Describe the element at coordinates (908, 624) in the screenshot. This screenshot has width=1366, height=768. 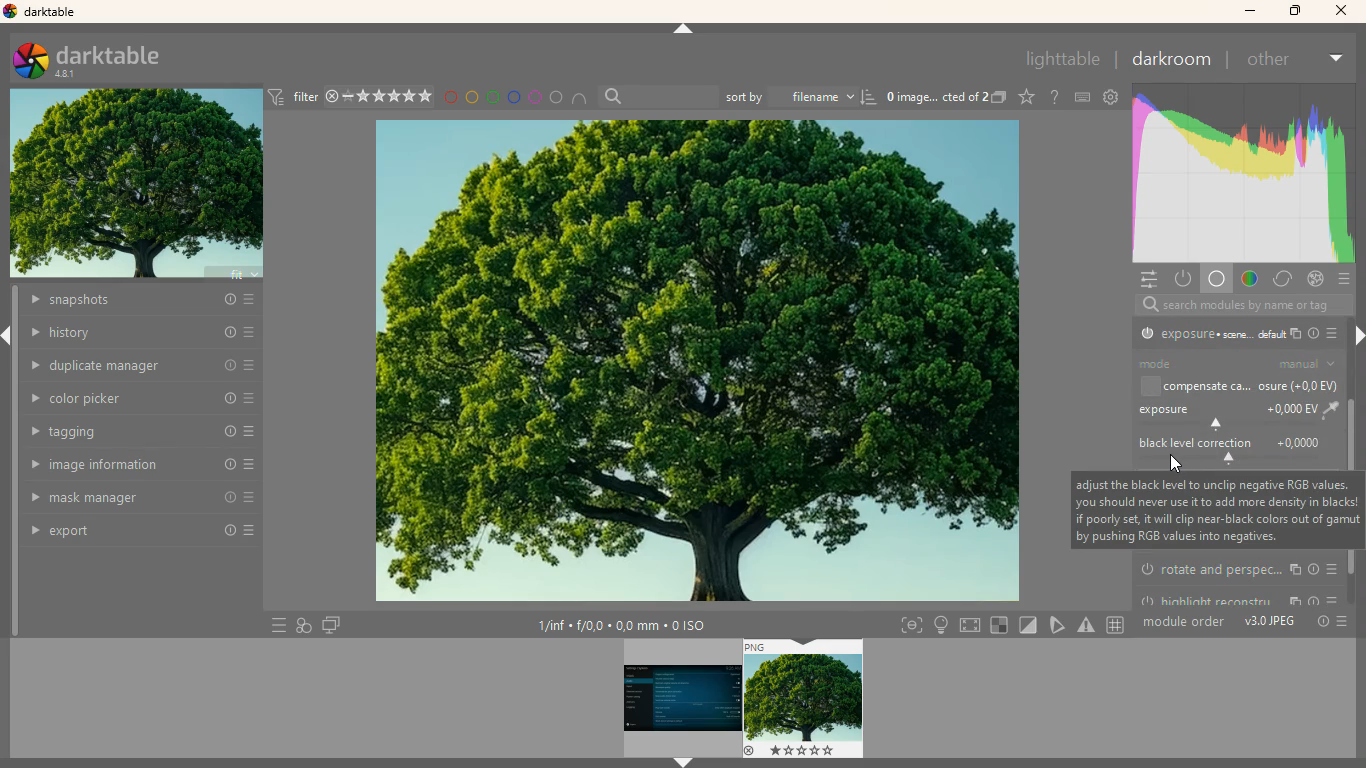
I see `frame` at that location.